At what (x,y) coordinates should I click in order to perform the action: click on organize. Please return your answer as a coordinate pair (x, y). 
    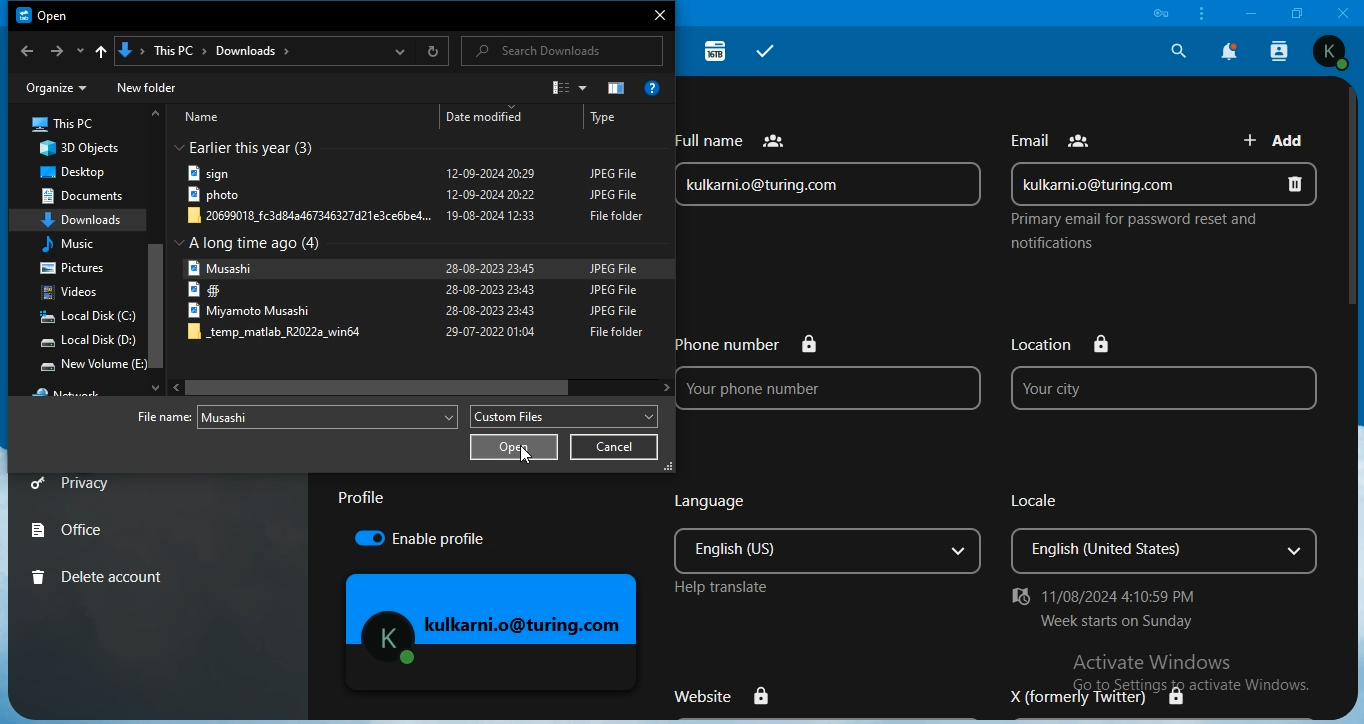
    Looking at the image, I should click on (55, 87).